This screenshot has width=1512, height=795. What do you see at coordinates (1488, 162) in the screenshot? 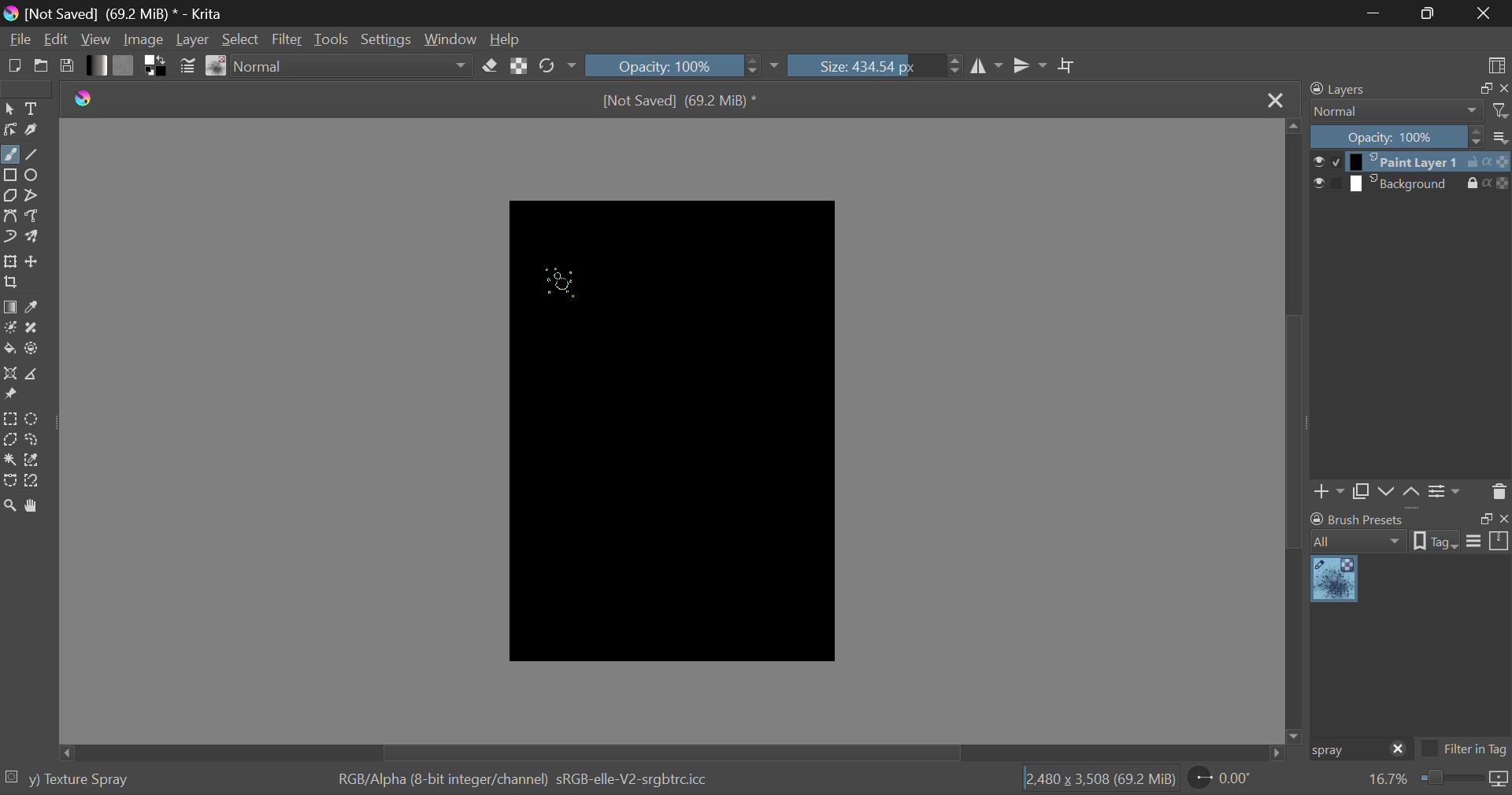
I see `actions` at bounding box center [1488, 162].